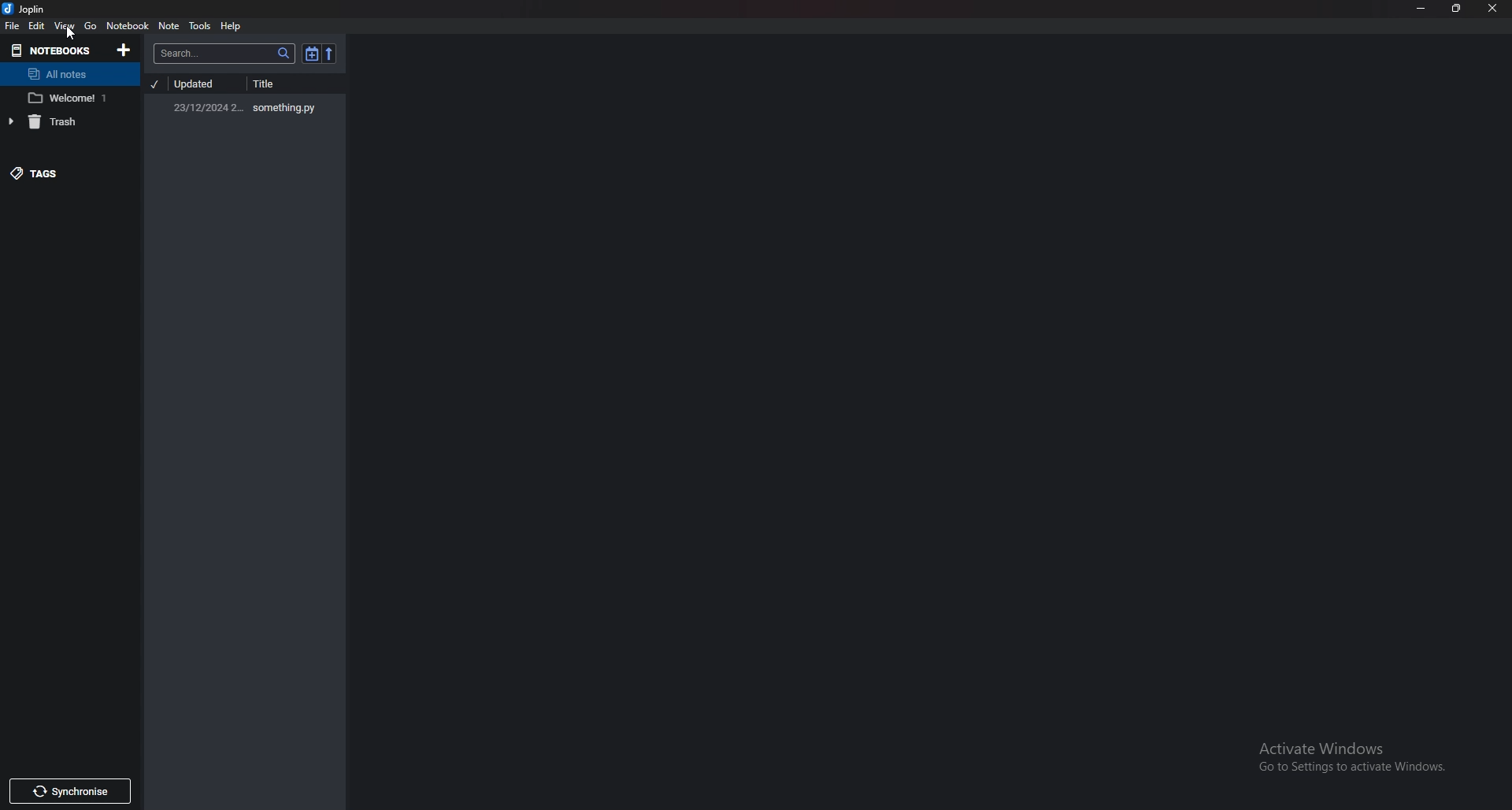  I want to click on check, so click(156, 84).